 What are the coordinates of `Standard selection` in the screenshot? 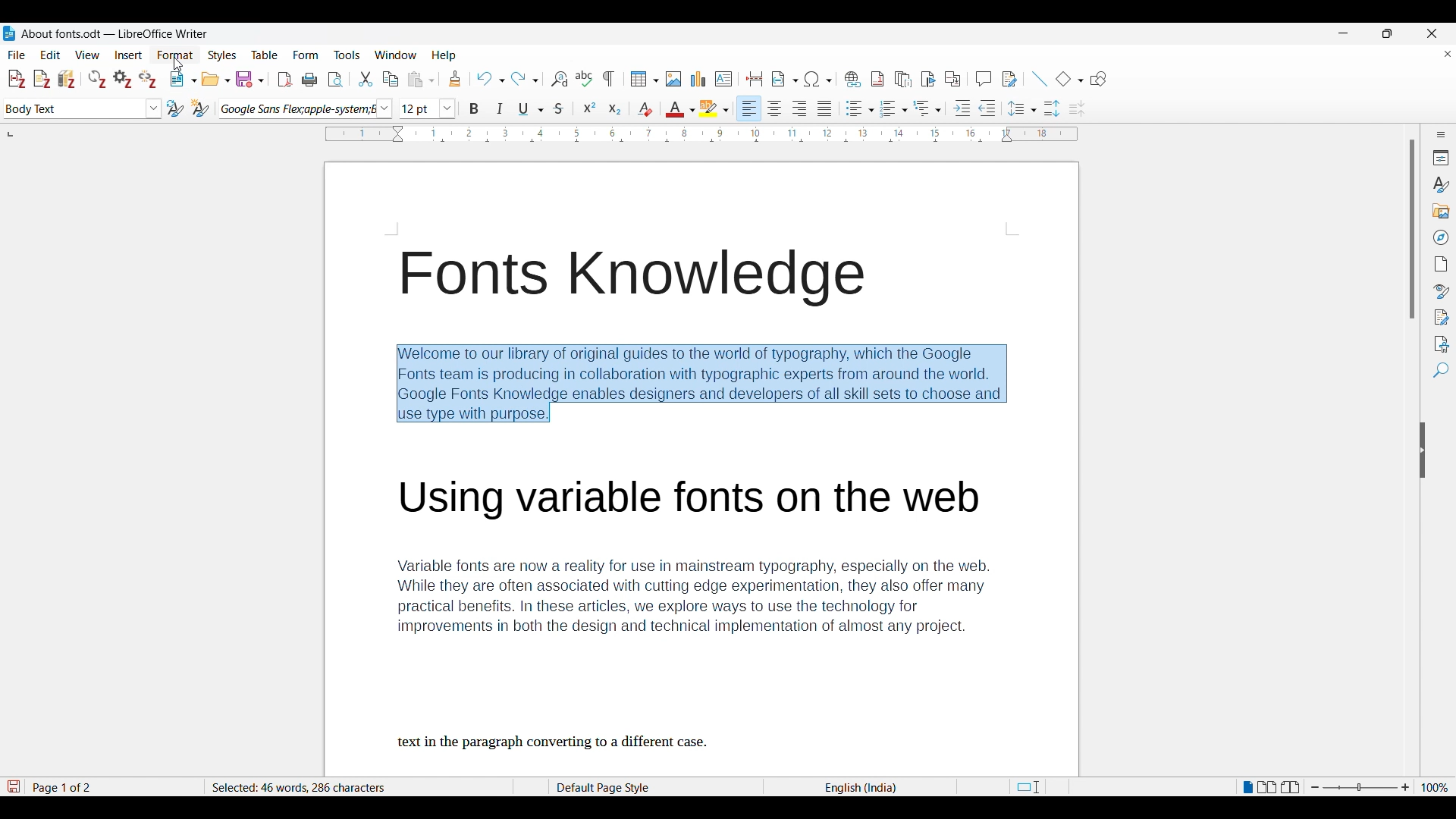 It's located at (1027, 787).